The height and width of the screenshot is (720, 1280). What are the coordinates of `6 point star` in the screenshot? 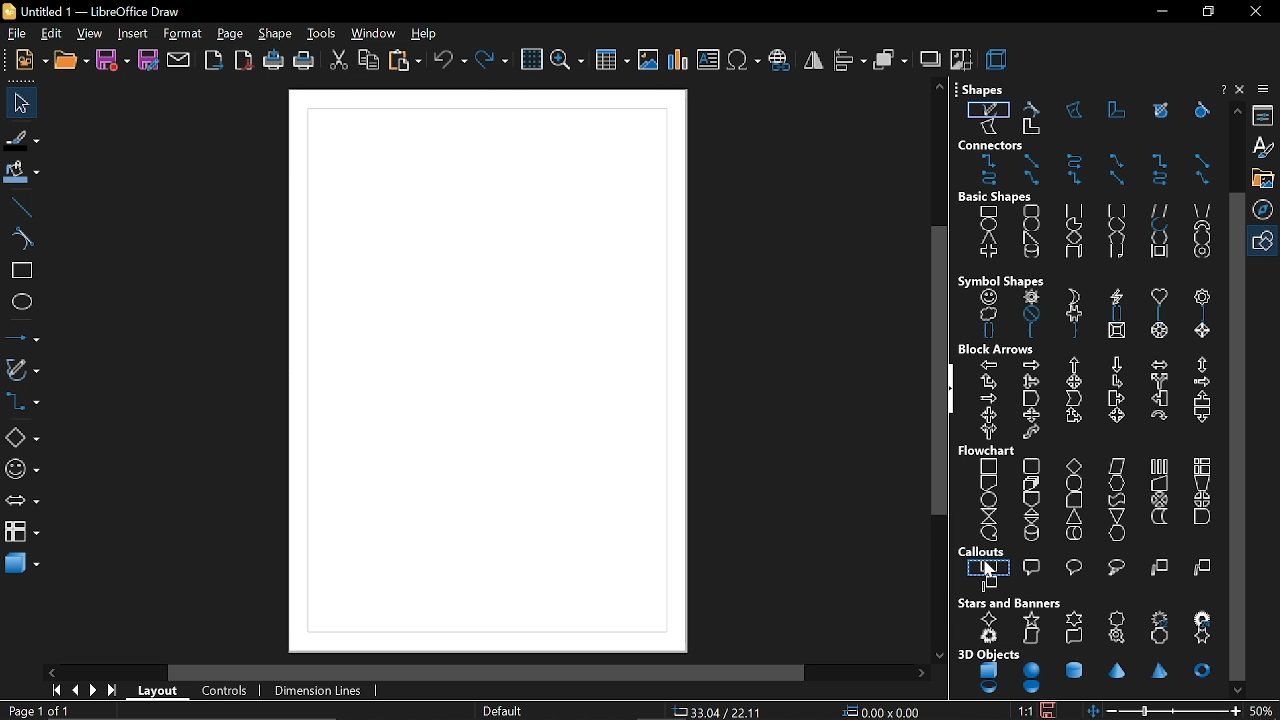 It's located at (1073, 619).